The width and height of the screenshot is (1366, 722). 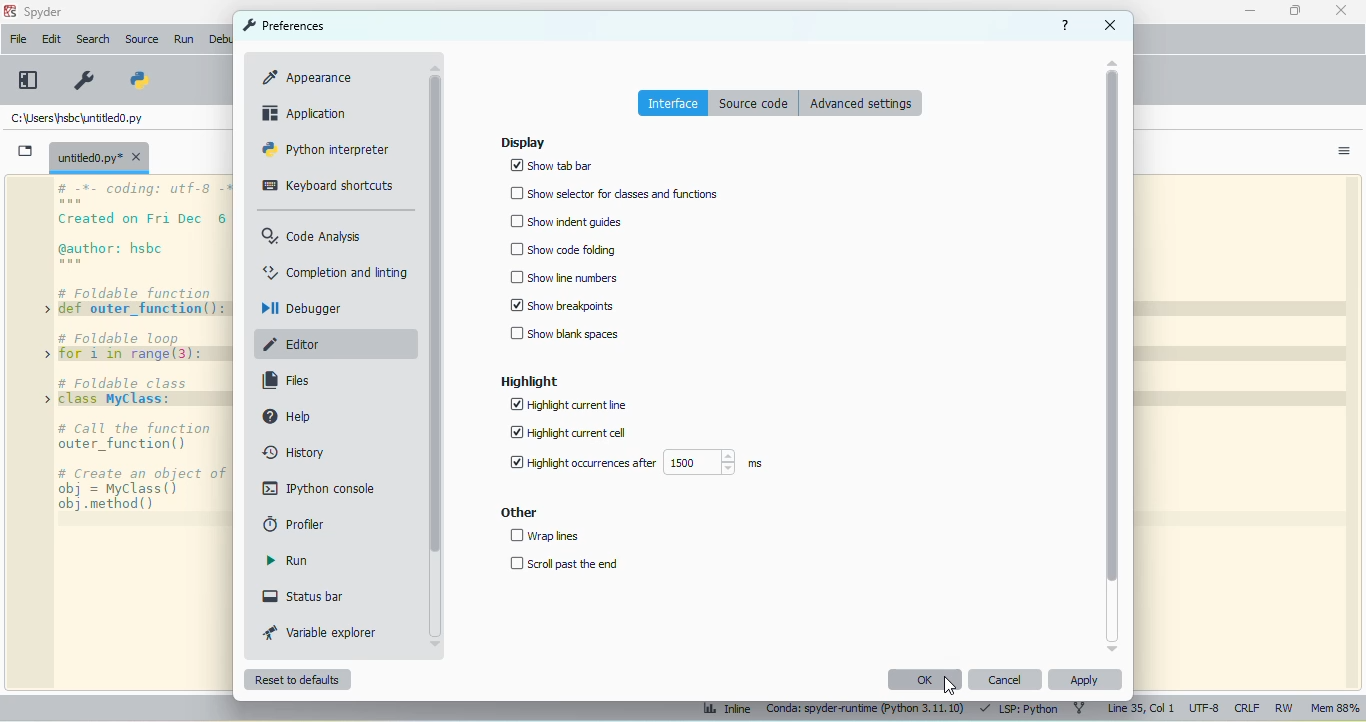 I want to click on appearance, so click(x=309, y=76).